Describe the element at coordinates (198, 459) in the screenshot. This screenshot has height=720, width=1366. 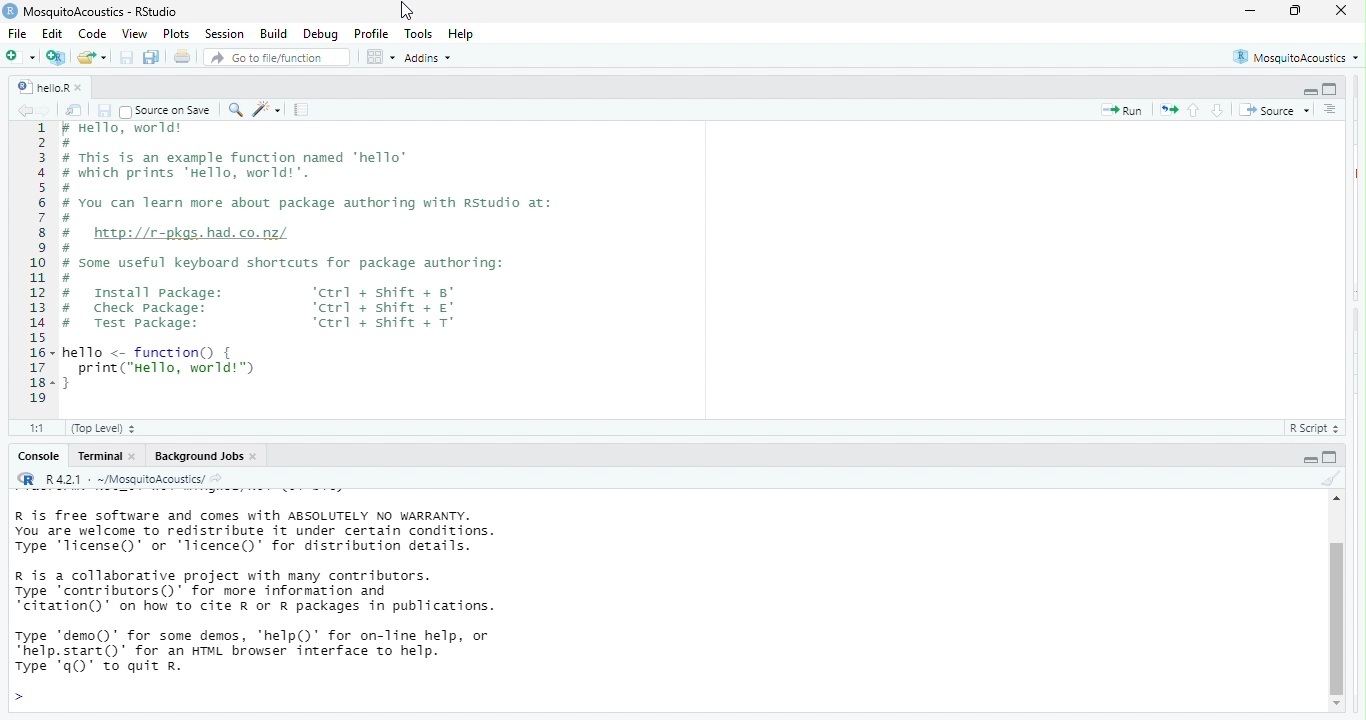
I see `Background Jobs` at that location.